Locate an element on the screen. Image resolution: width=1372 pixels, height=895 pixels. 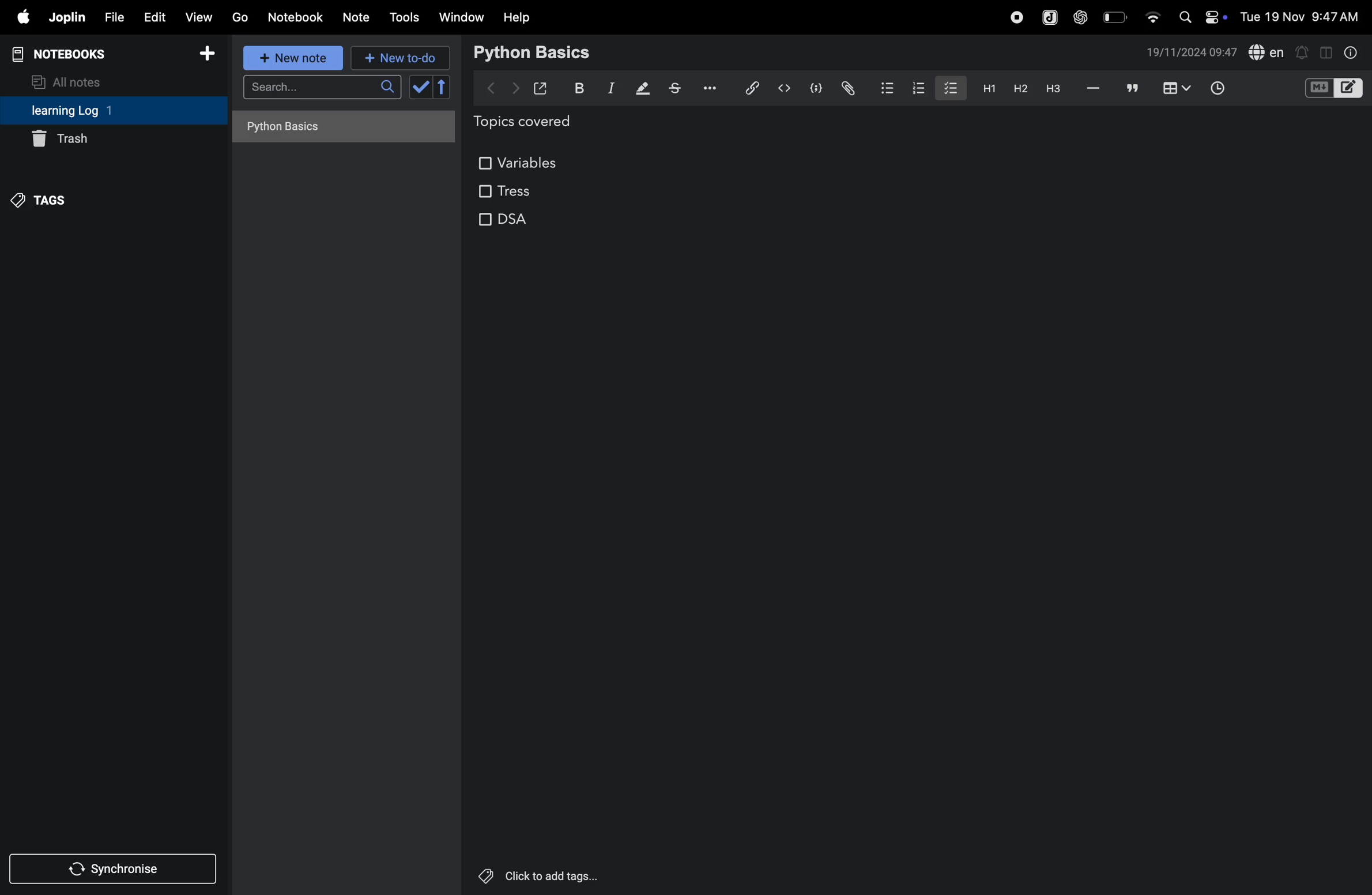
date and time is located at coordinates (1303, 16).